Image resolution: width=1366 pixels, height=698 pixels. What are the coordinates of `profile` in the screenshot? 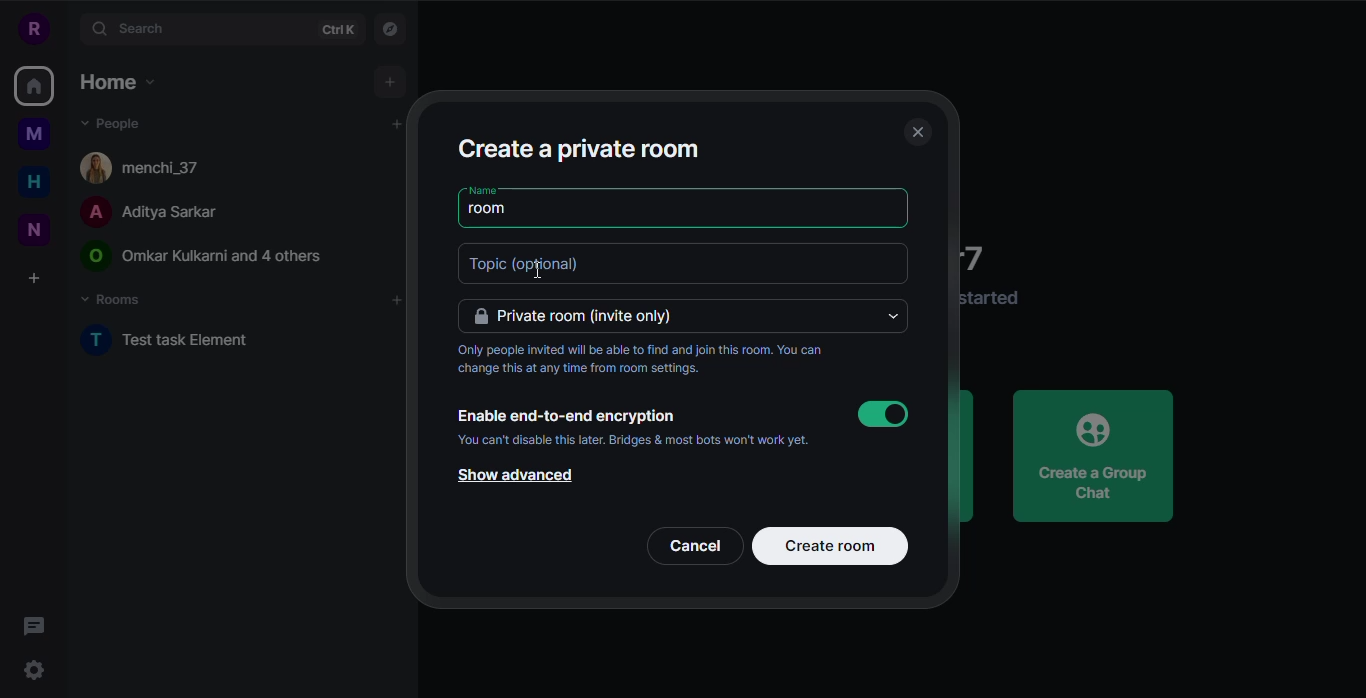 It's located at (32, 27).